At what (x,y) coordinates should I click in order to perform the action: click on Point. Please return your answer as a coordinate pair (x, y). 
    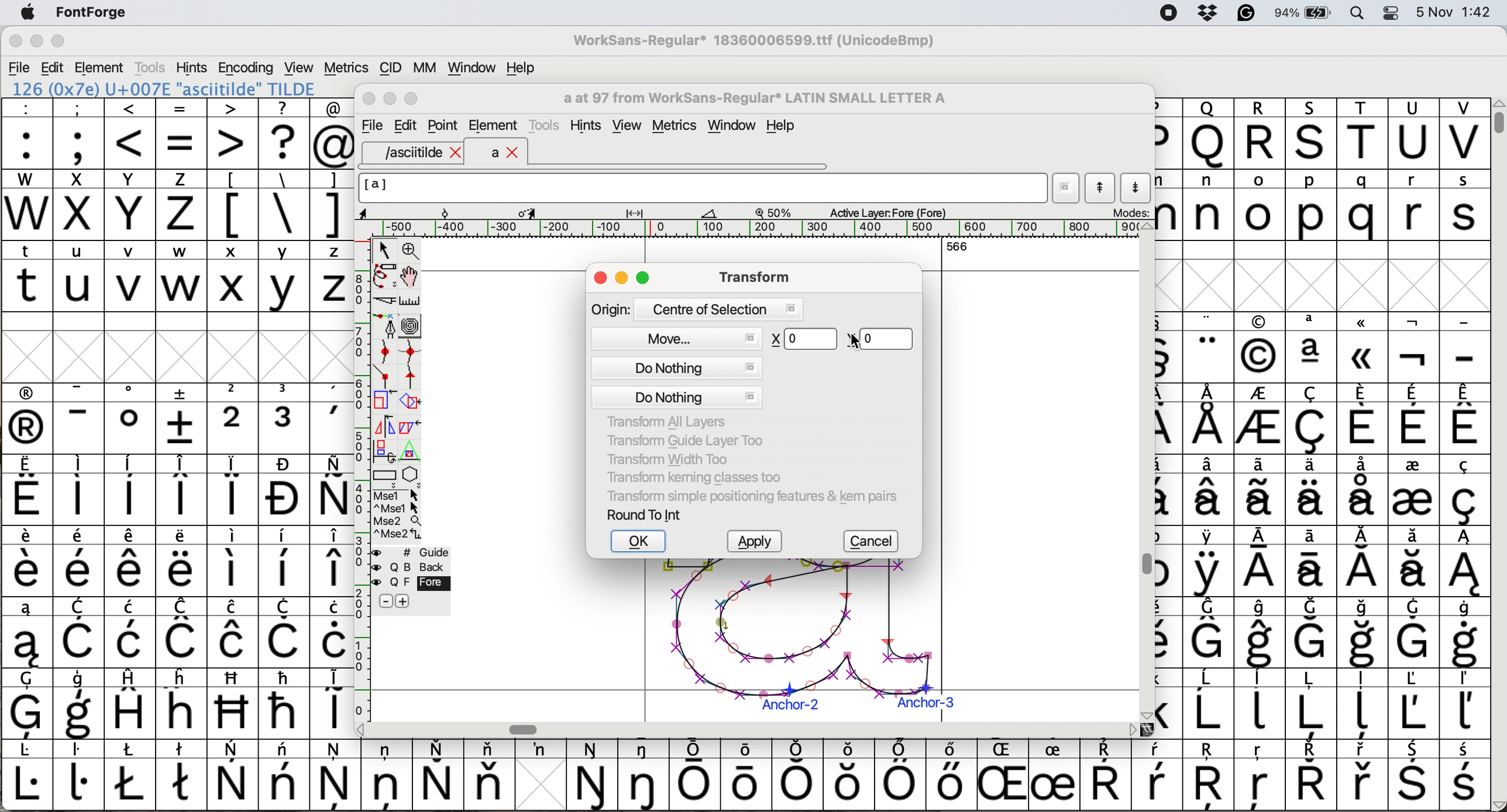
    Looking at the image, I should click on (444, 127).